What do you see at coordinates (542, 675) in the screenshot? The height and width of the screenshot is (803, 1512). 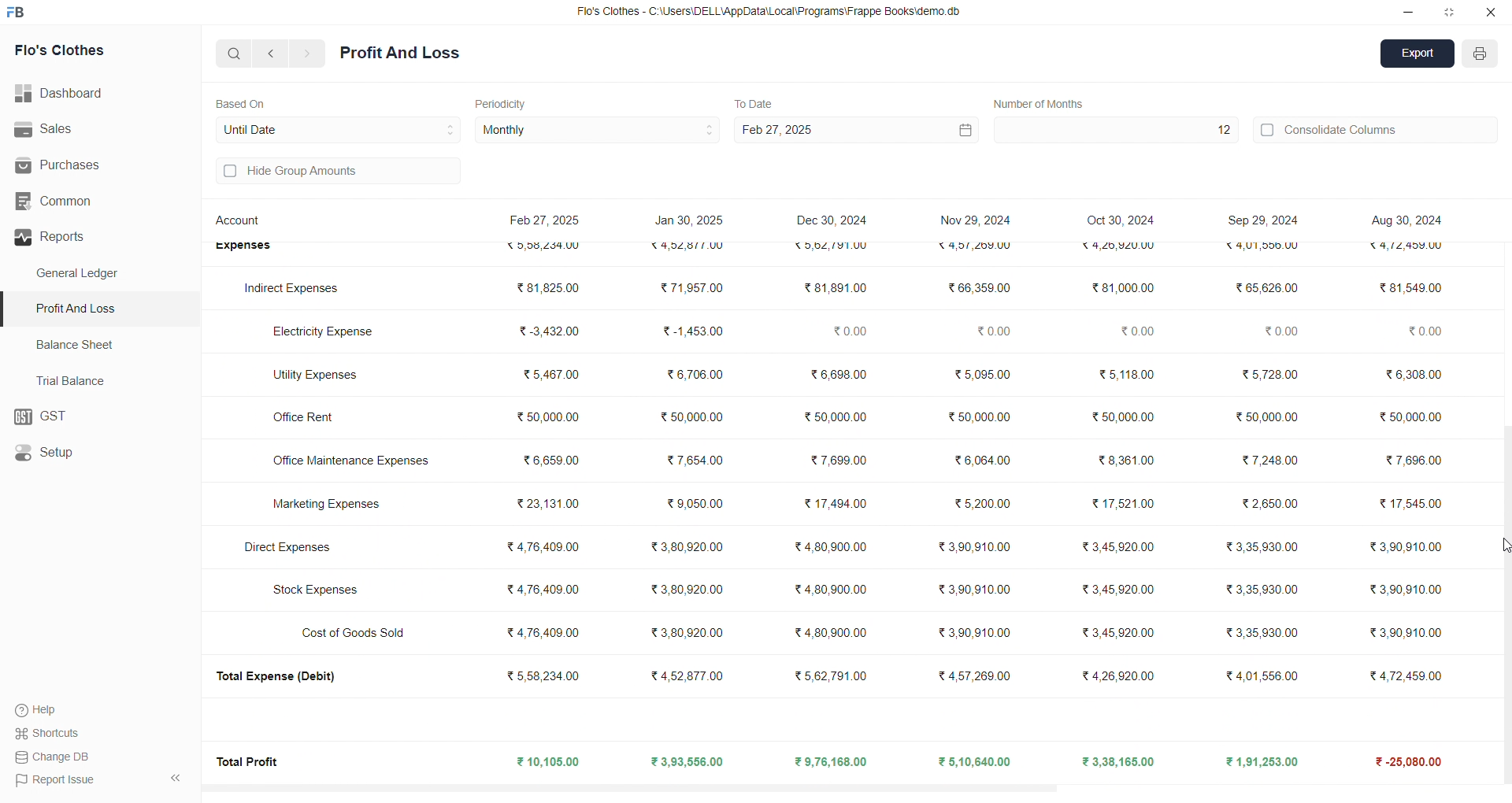 I see `₹5,58,234.00` at bounding box center [542, 675].